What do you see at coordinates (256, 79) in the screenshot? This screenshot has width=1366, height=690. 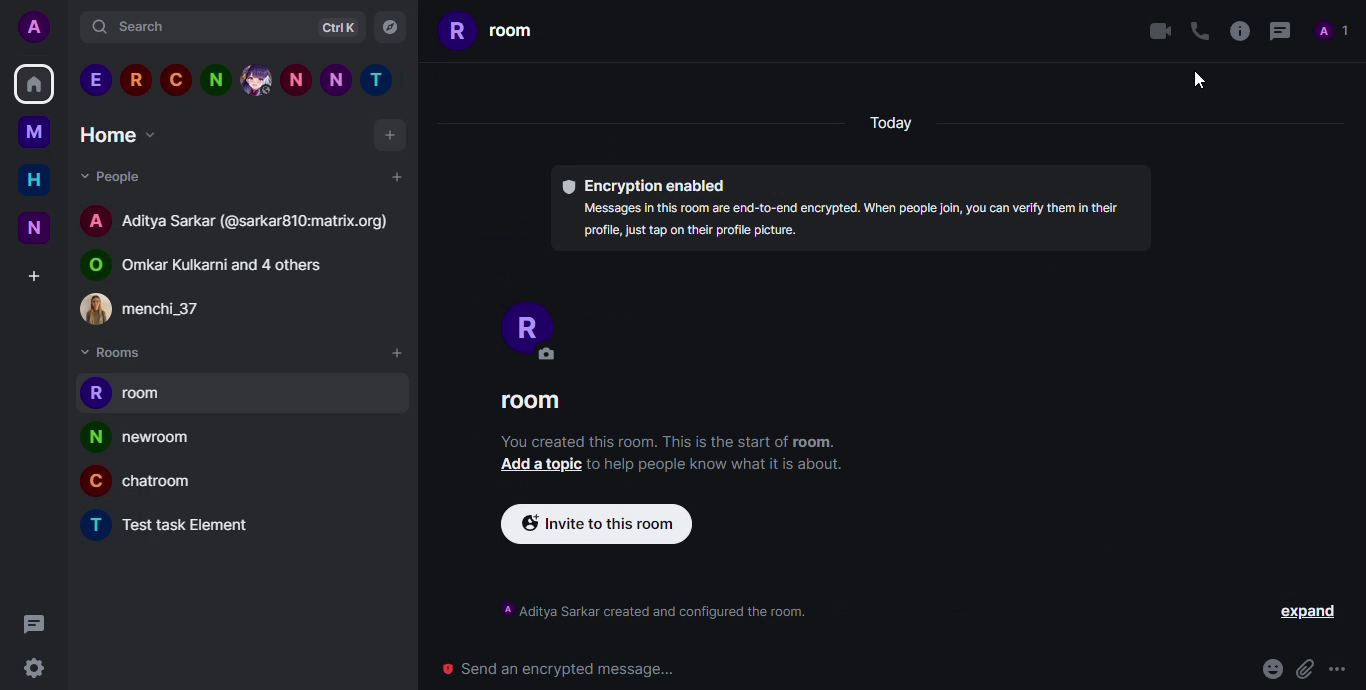 I see `people 5` at bounding box center [256, 79].